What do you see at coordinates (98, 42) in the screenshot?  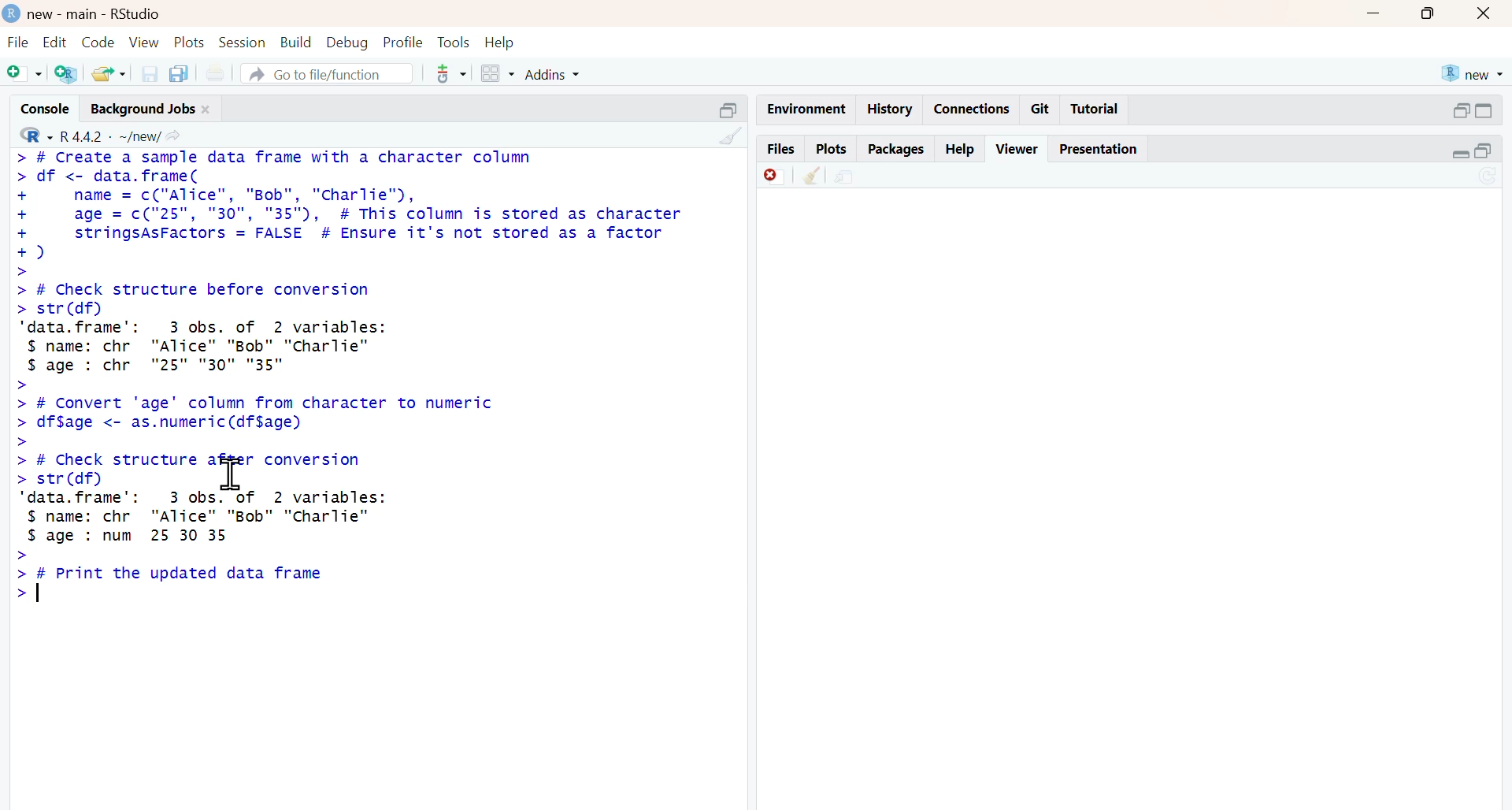 I see `code` at bounding box center [98, 42].